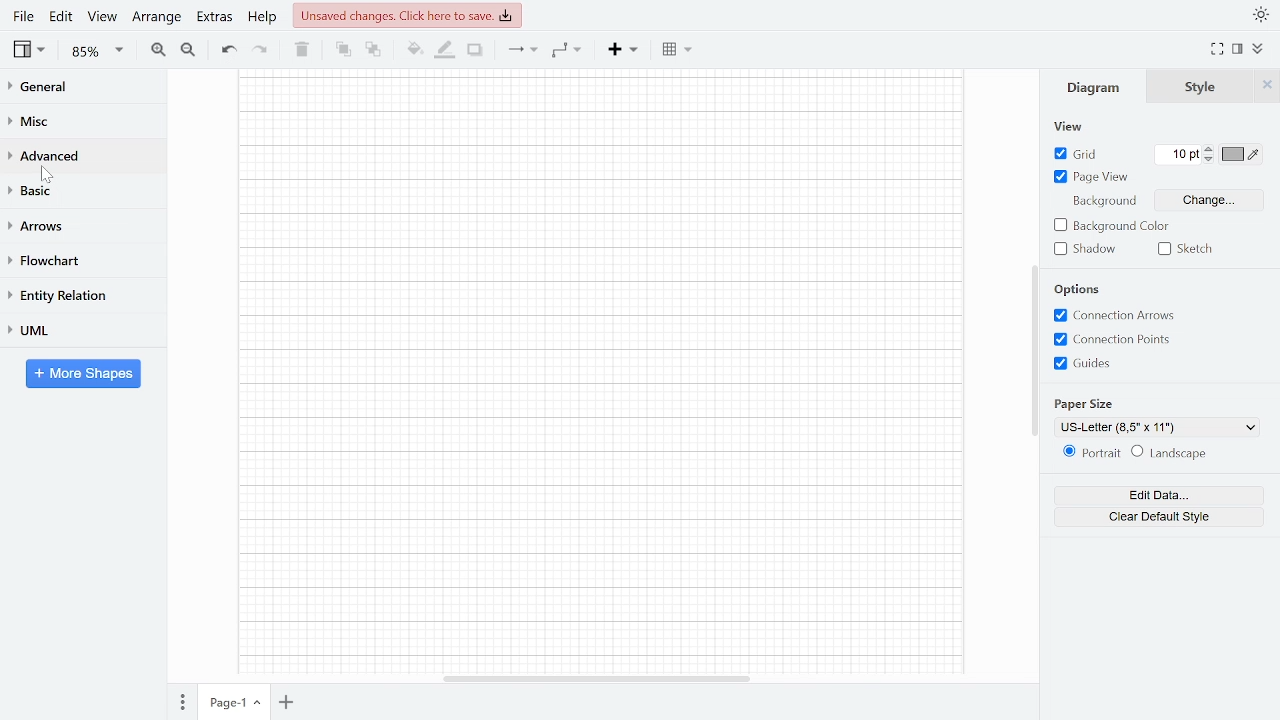  I want to click on Grid, so click(1075, 156).